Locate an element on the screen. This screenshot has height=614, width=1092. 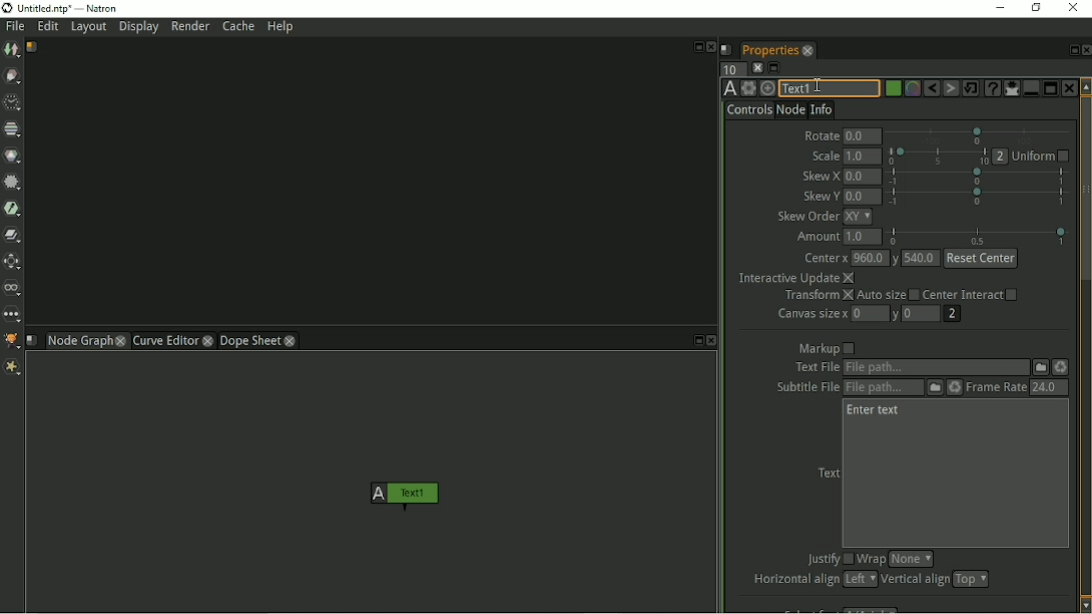
Dope Sheet is located at coordinates (250, 340).